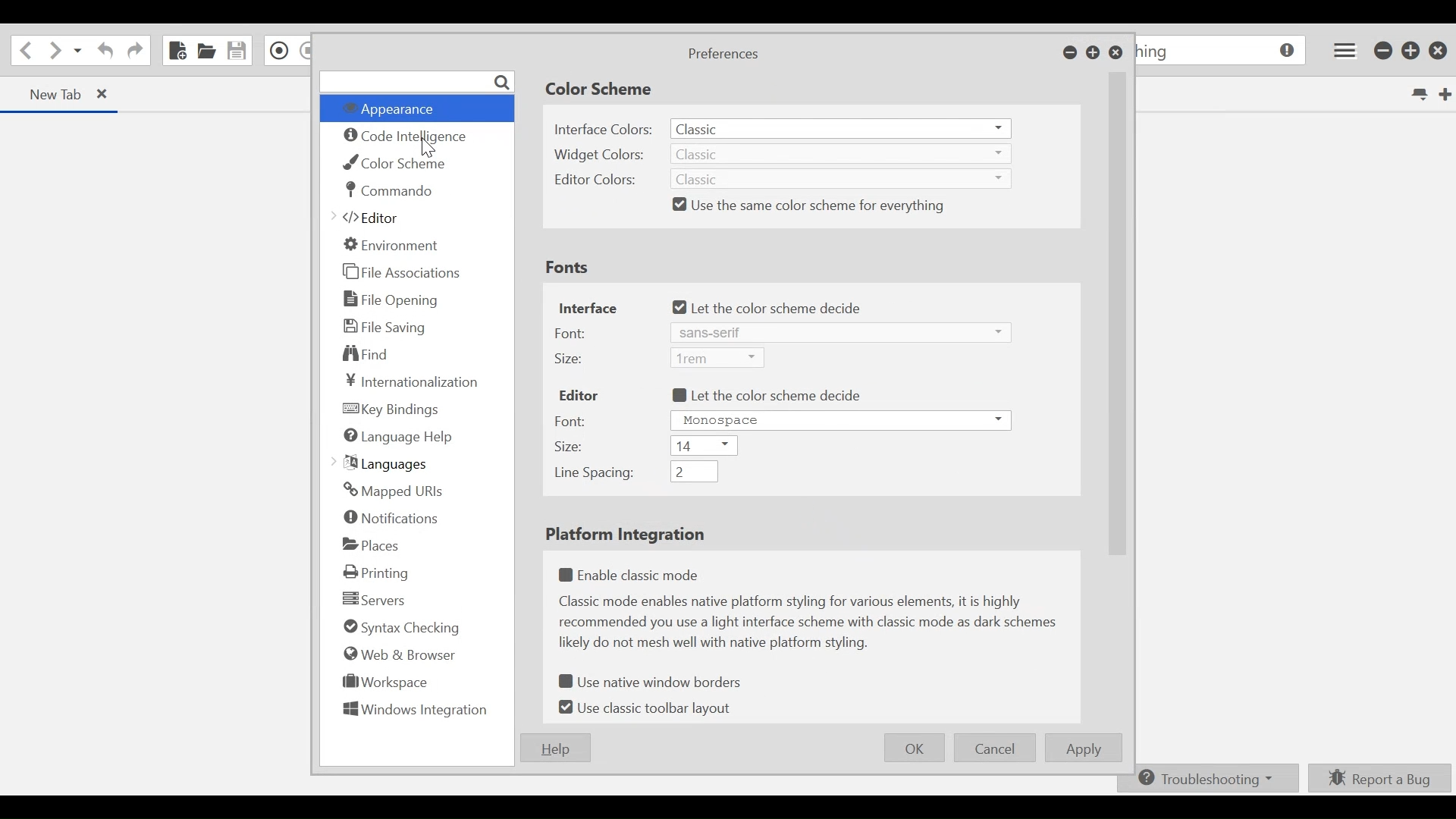 This screenshot has width=1456, height=819. Describe the element at coordinates (838, 332) in the screenshot. I see `sans-serif` at that location.